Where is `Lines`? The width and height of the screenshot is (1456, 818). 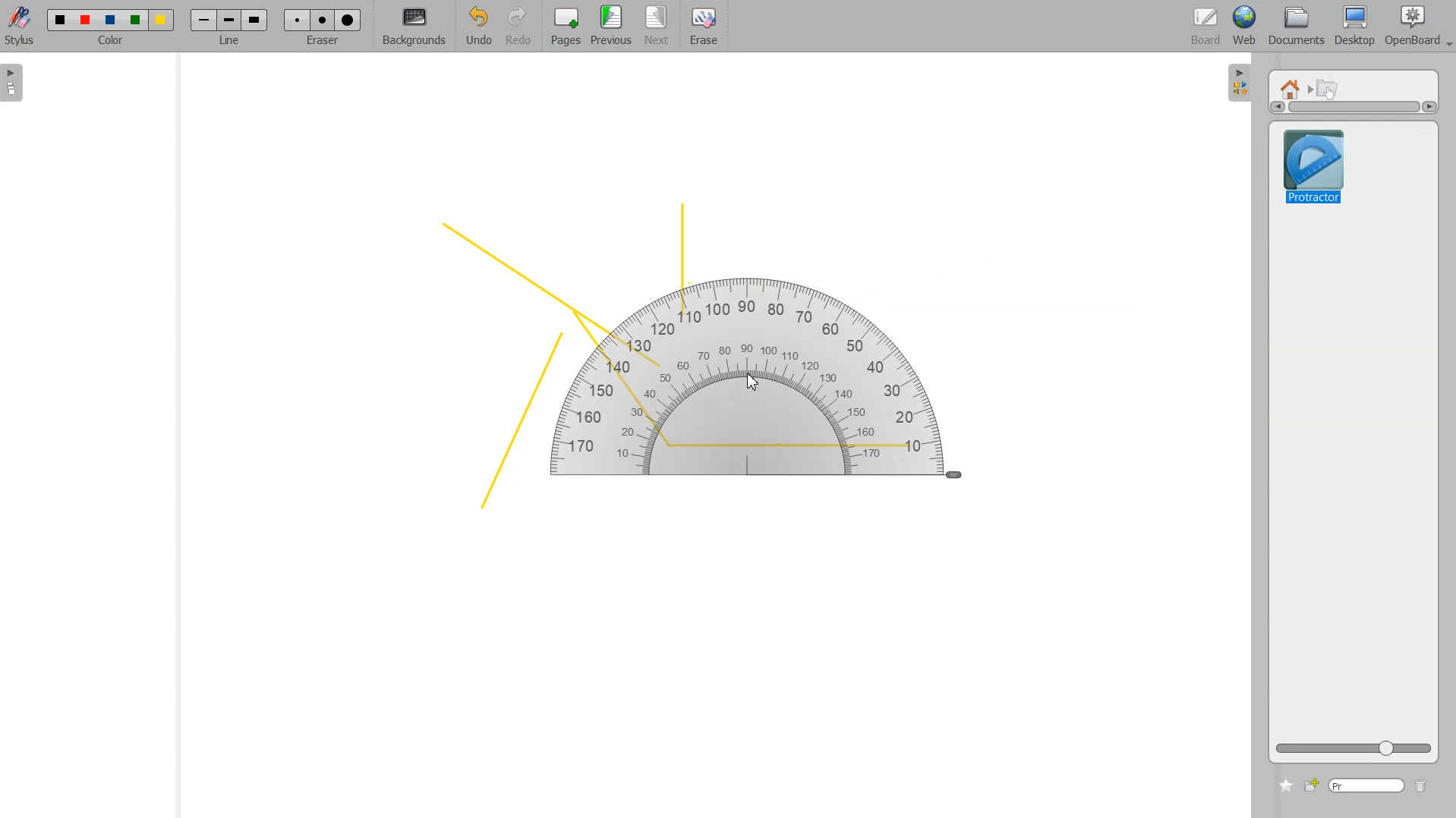
Lines is located at coordinates (670, 360).